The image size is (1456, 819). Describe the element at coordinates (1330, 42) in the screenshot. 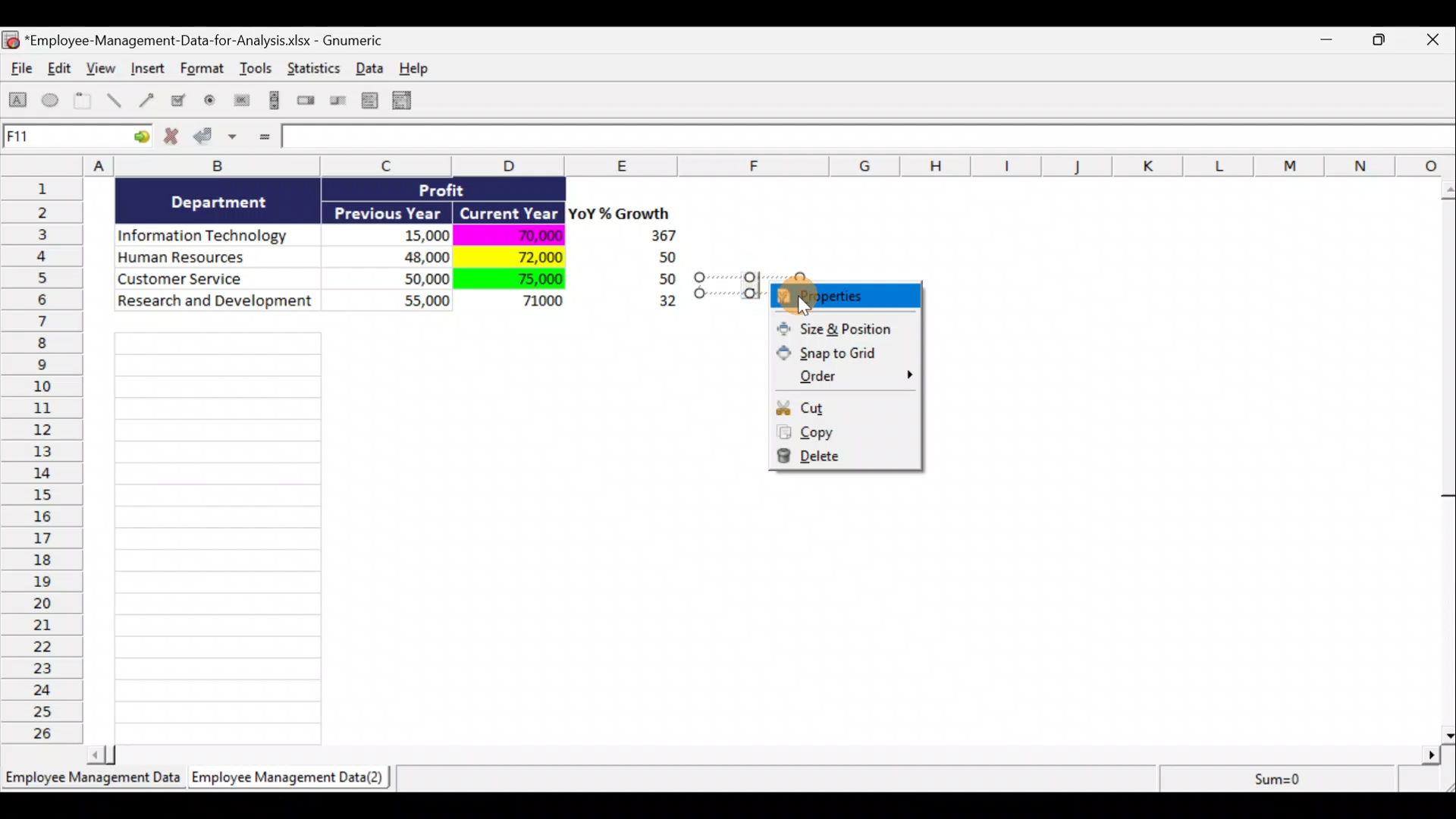

I see `Minimise` at that location.